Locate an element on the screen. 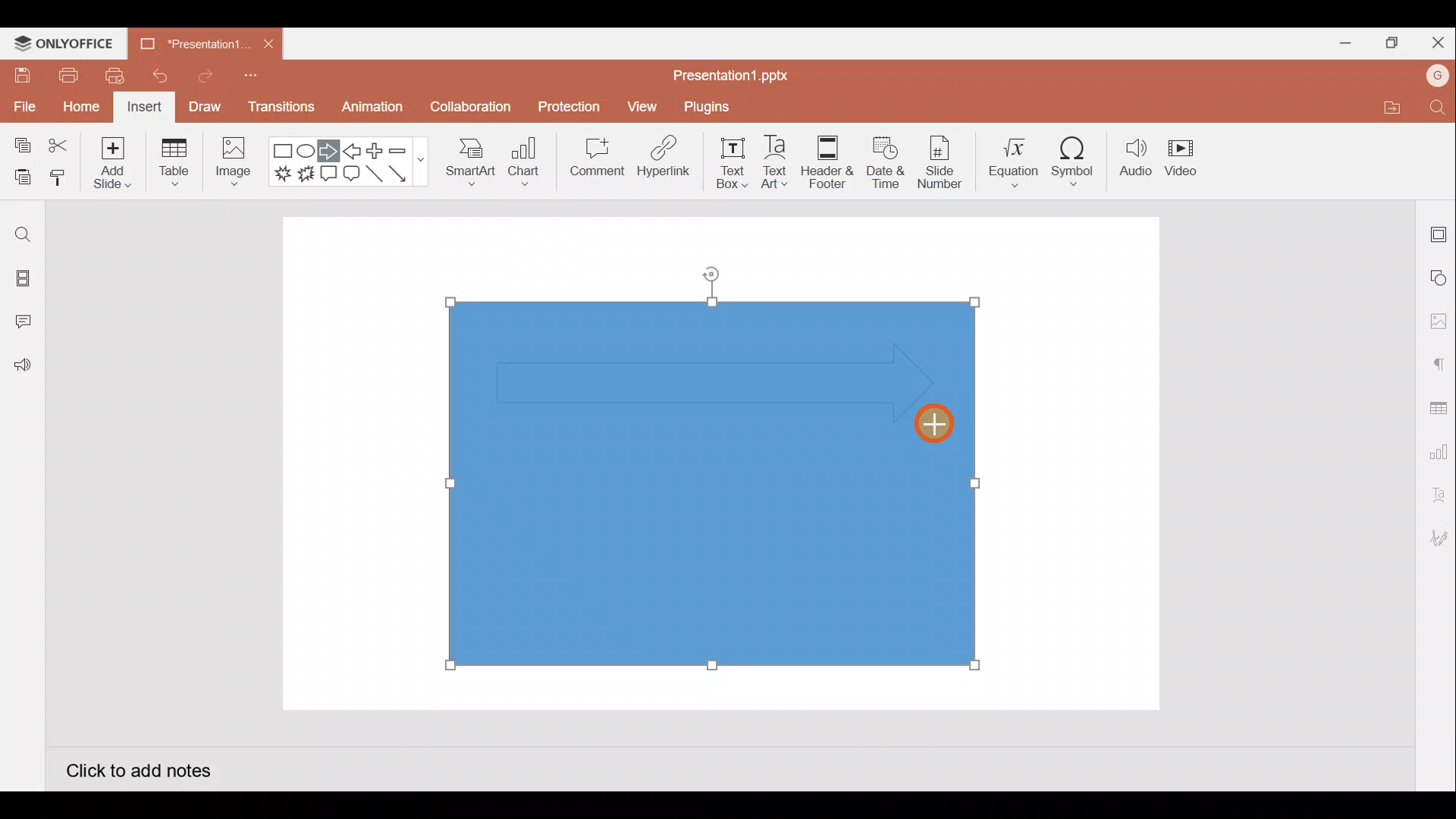 The width and height of the screenshot is (1456, 819). Date & time is located at coordinates (886, 162).